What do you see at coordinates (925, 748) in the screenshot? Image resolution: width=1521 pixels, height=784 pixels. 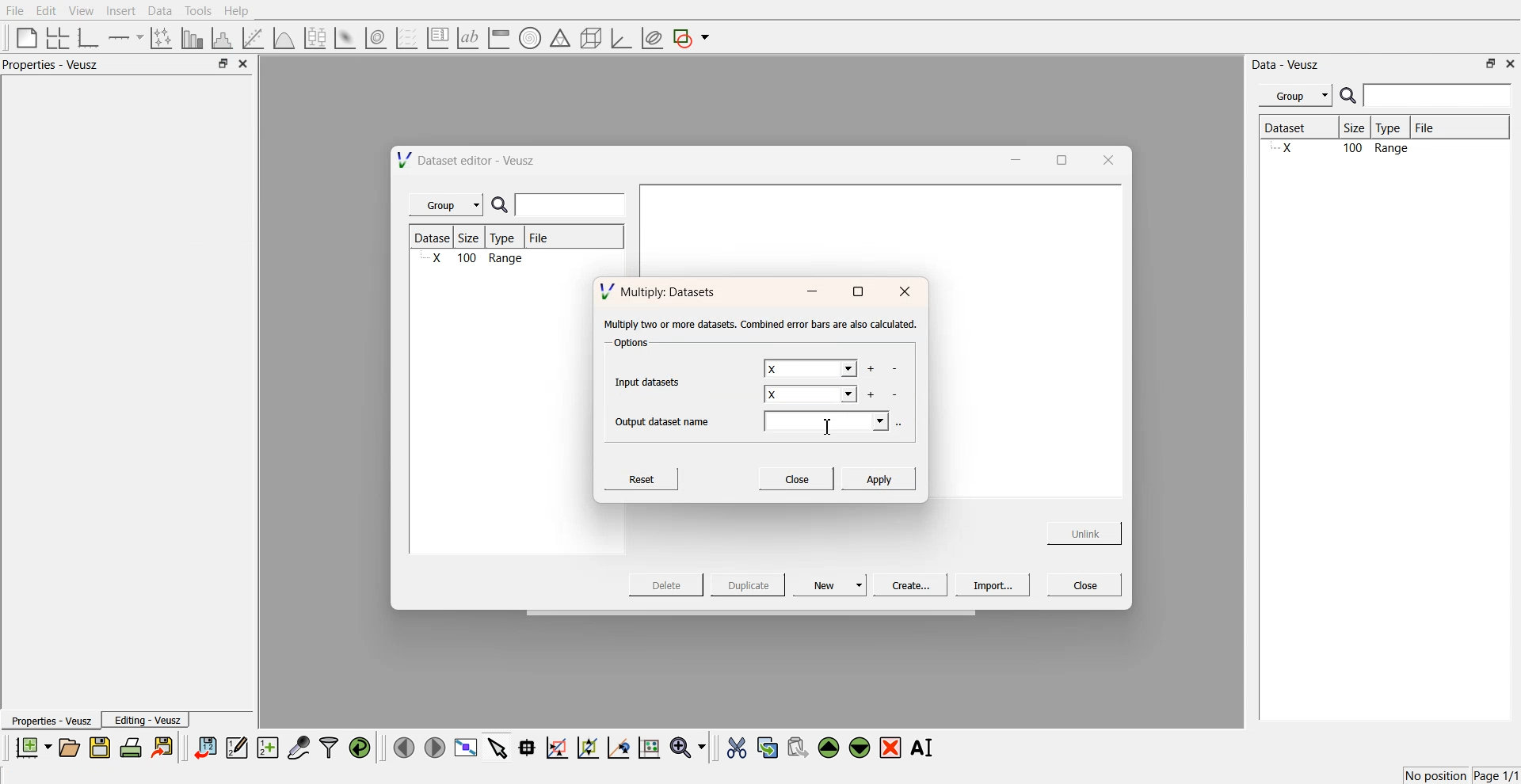 I see `Rename the selected widgets` at bounding box center [925, 748].